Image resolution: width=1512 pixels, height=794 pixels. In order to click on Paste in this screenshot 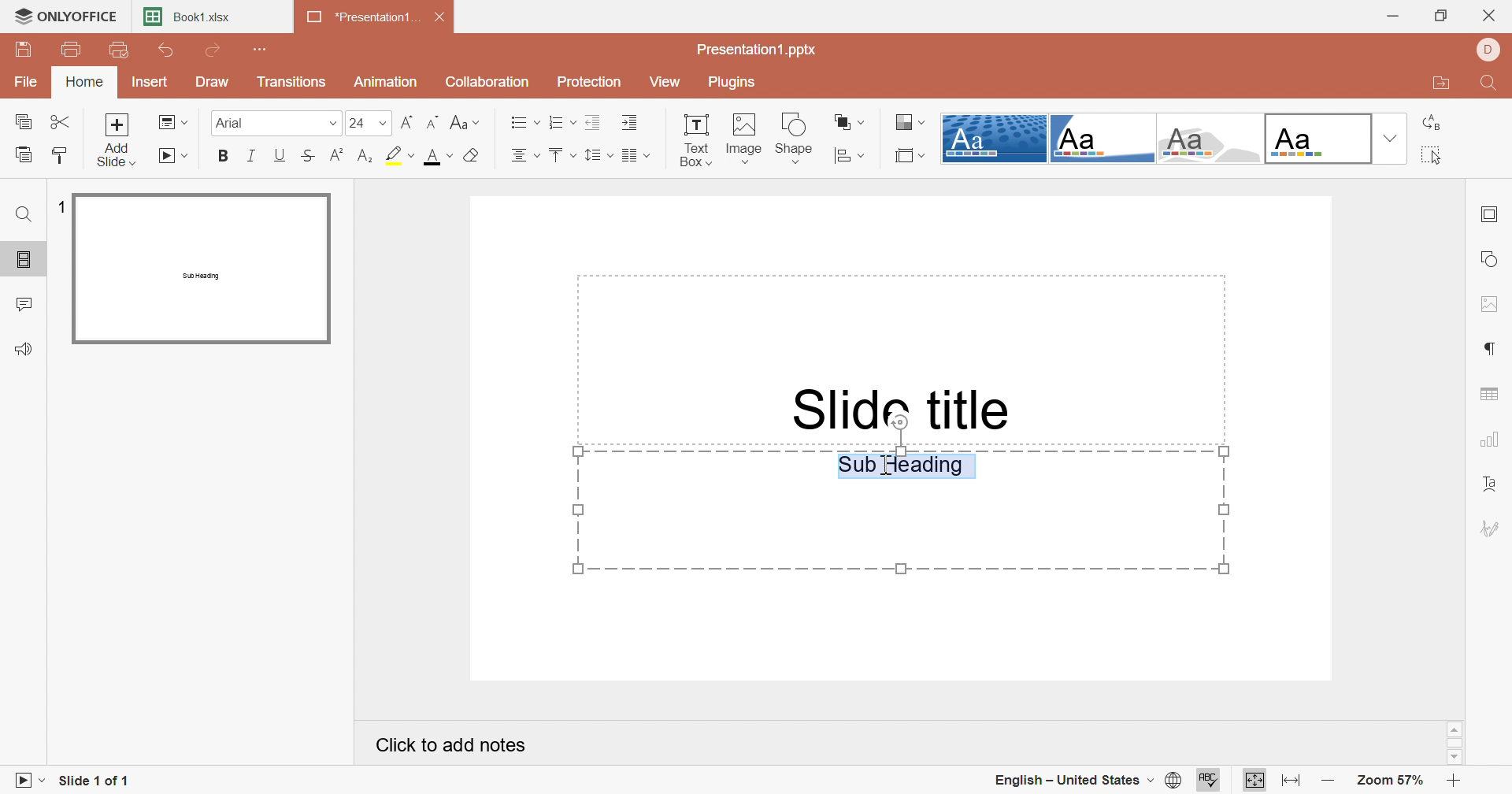, I will do `click(28, 154)`.